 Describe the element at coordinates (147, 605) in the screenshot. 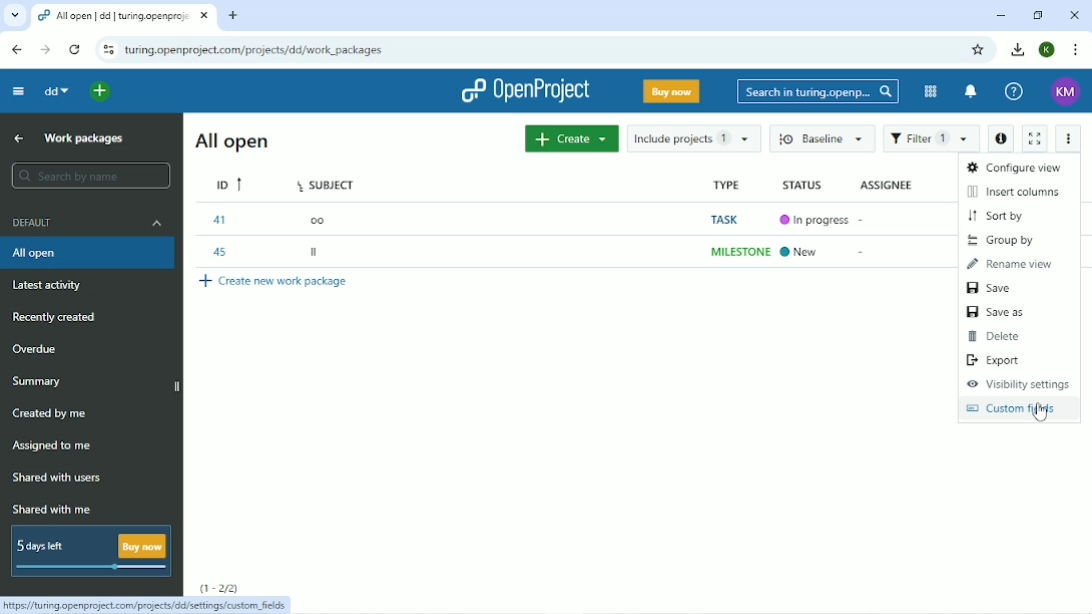

I see `Link` at that location.